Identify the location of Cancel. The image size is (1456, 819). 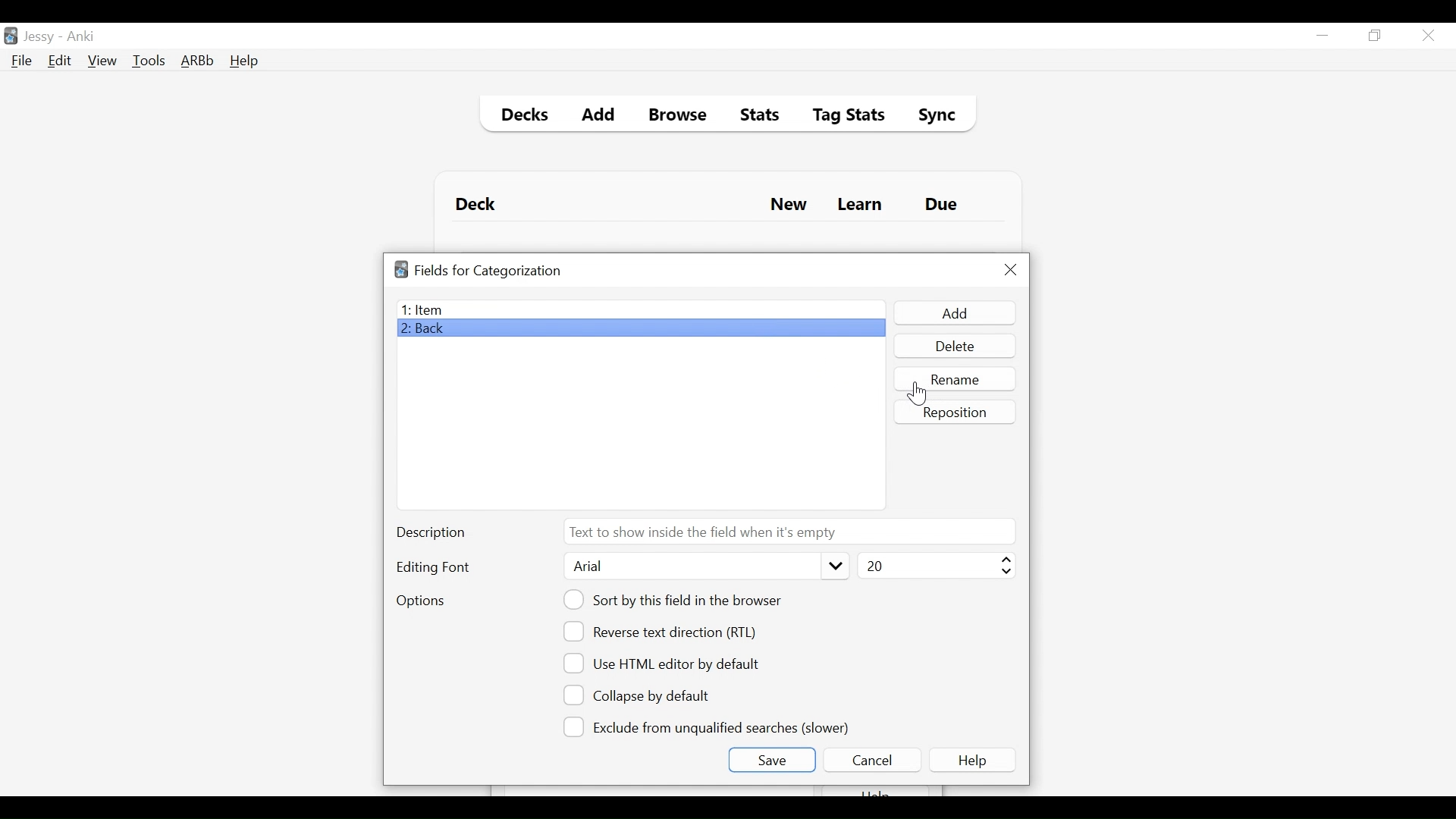
(871, 760).